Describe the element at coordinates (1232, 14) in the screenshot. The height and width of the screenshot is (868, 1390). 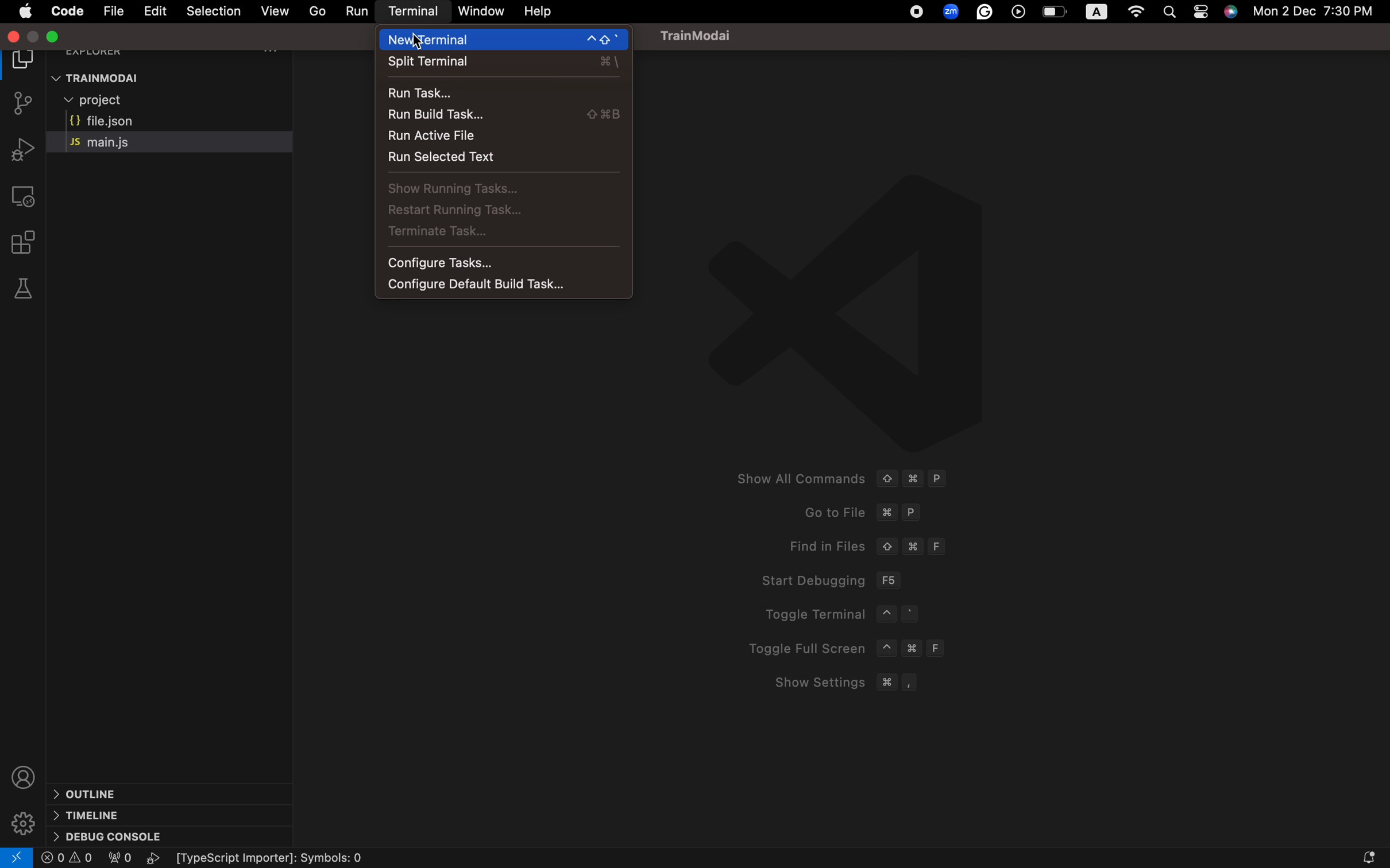
I see `Siri` at that location.